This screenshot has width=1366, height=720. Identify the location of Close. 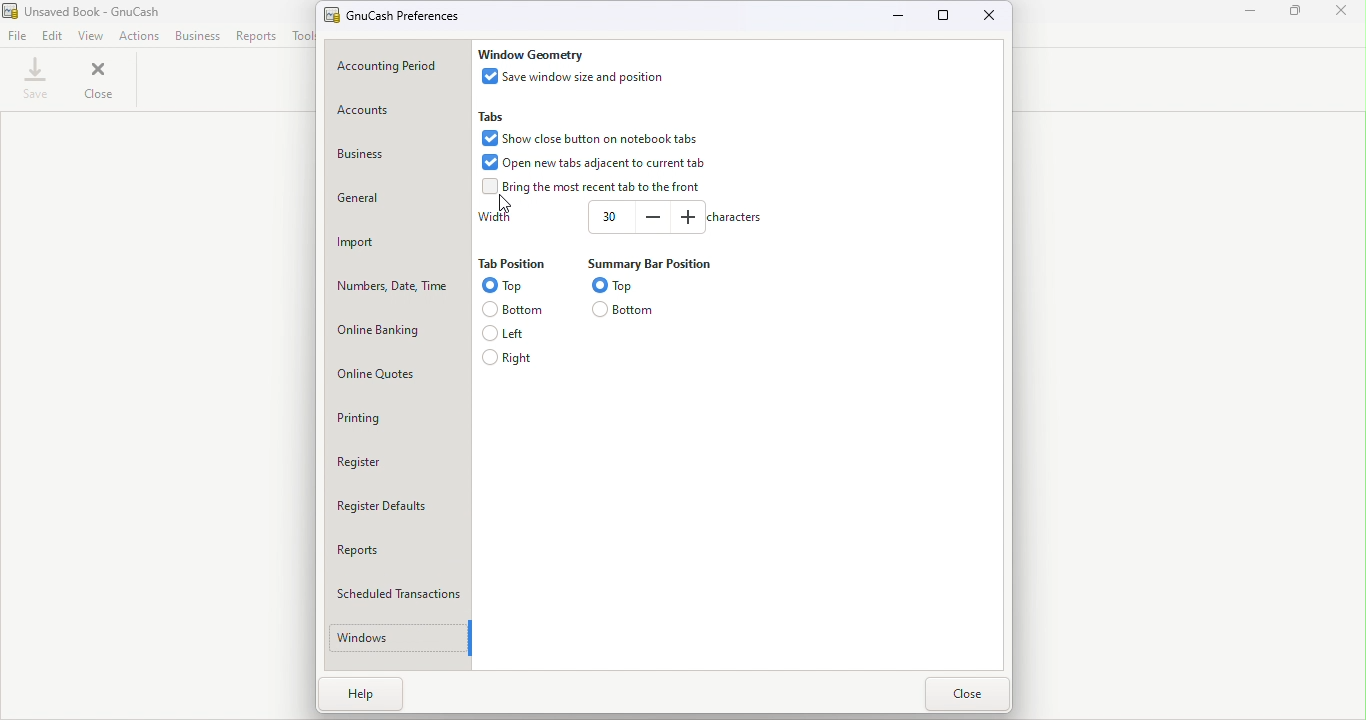
(987, 17).